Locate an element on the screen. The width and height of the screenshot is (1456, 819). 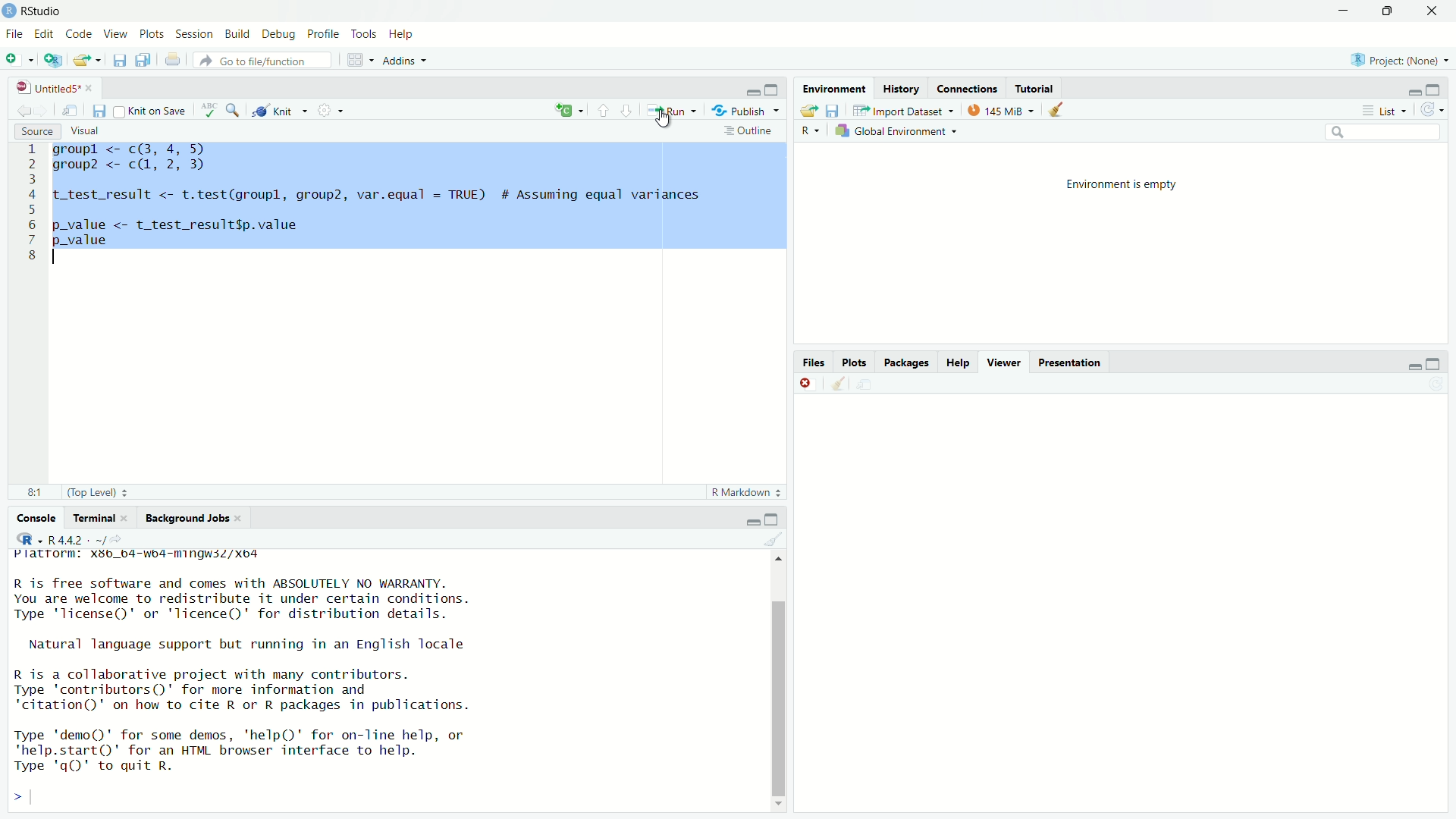
RB) Project: (None)  is located at coordinates (1394, 58).